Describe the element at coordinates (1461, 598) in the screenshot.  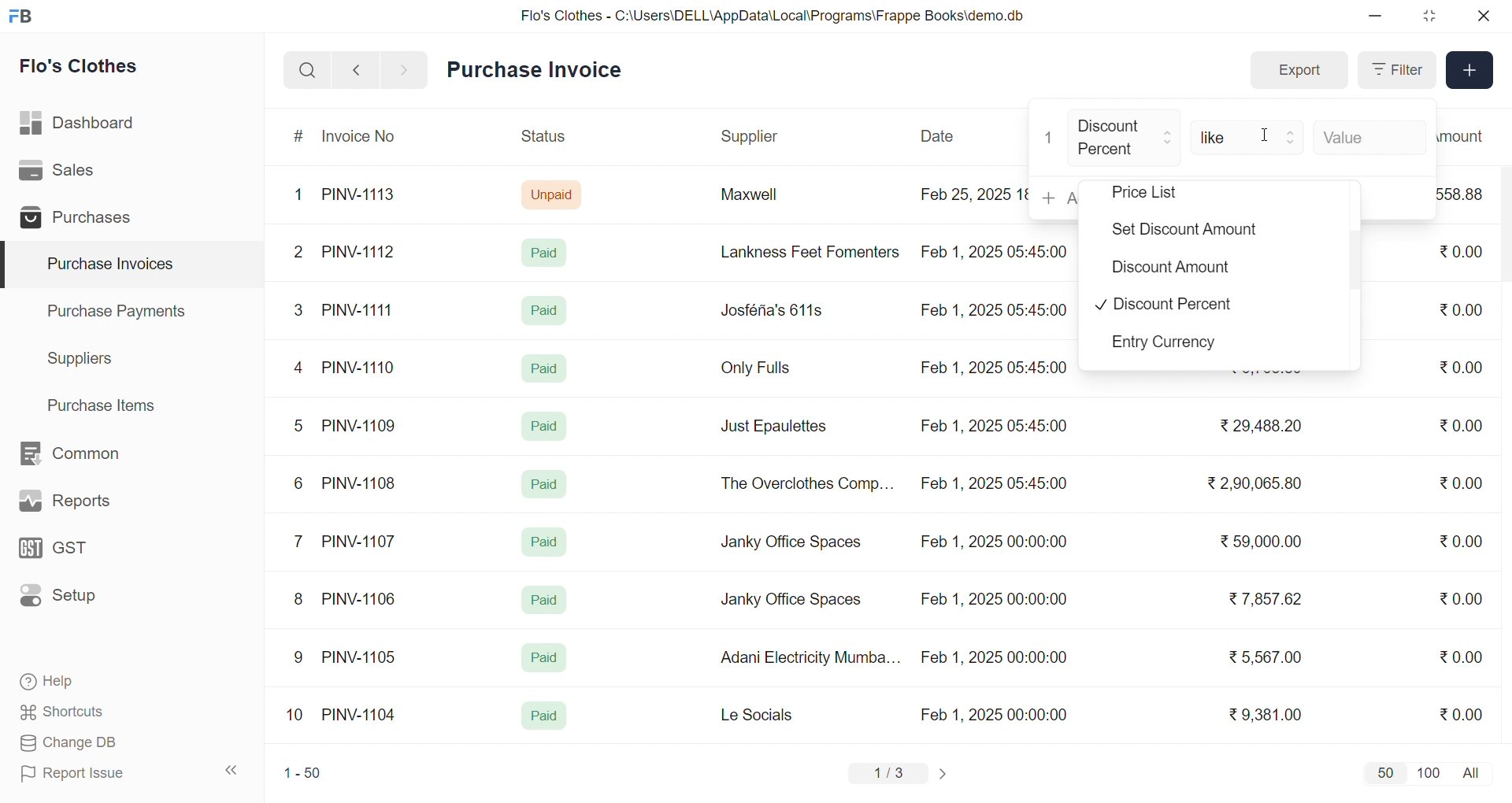
I see `₹0.00` at that location.